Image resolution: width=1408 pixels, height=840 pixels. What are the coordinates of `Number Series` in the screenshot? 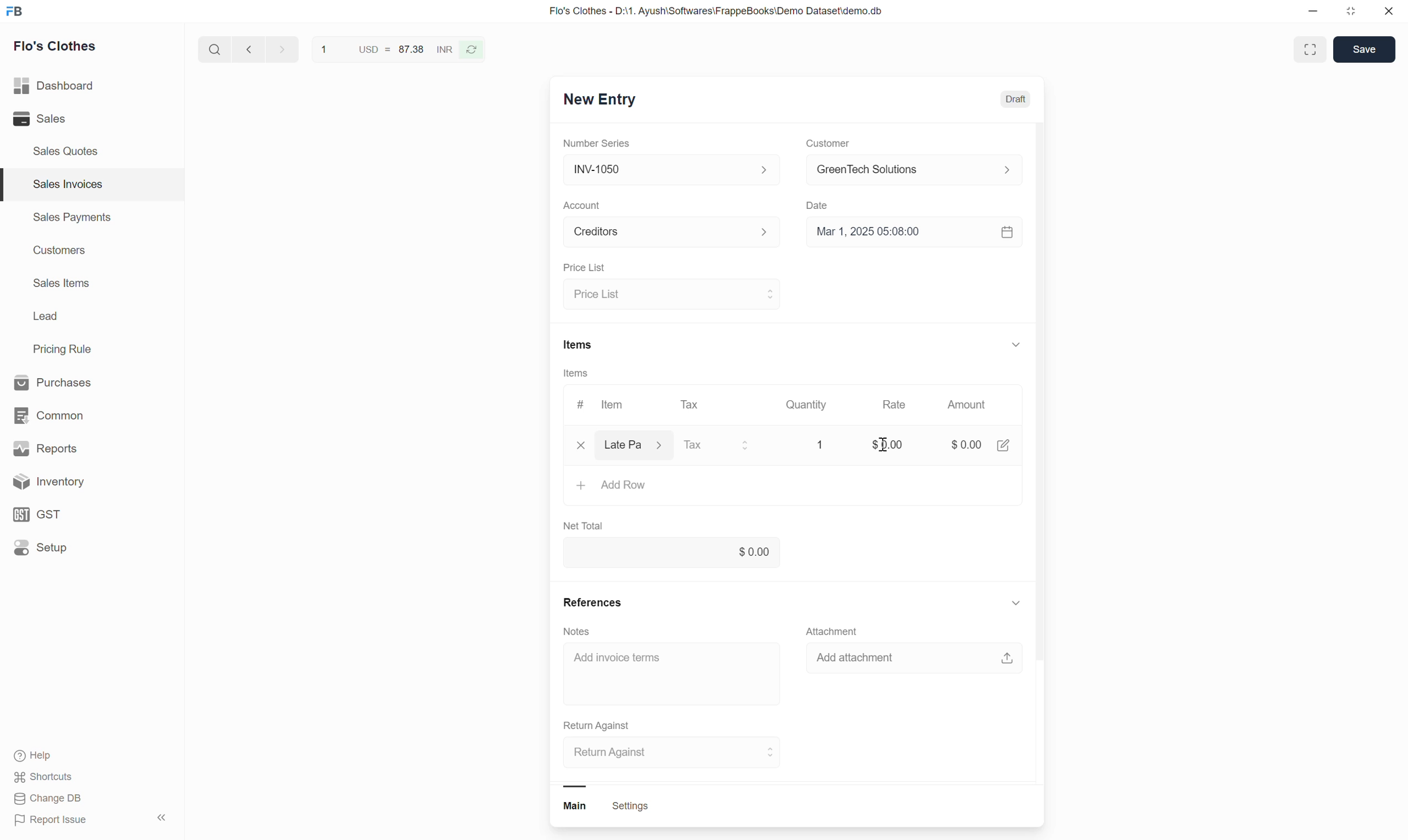 It's located at (598, 144).